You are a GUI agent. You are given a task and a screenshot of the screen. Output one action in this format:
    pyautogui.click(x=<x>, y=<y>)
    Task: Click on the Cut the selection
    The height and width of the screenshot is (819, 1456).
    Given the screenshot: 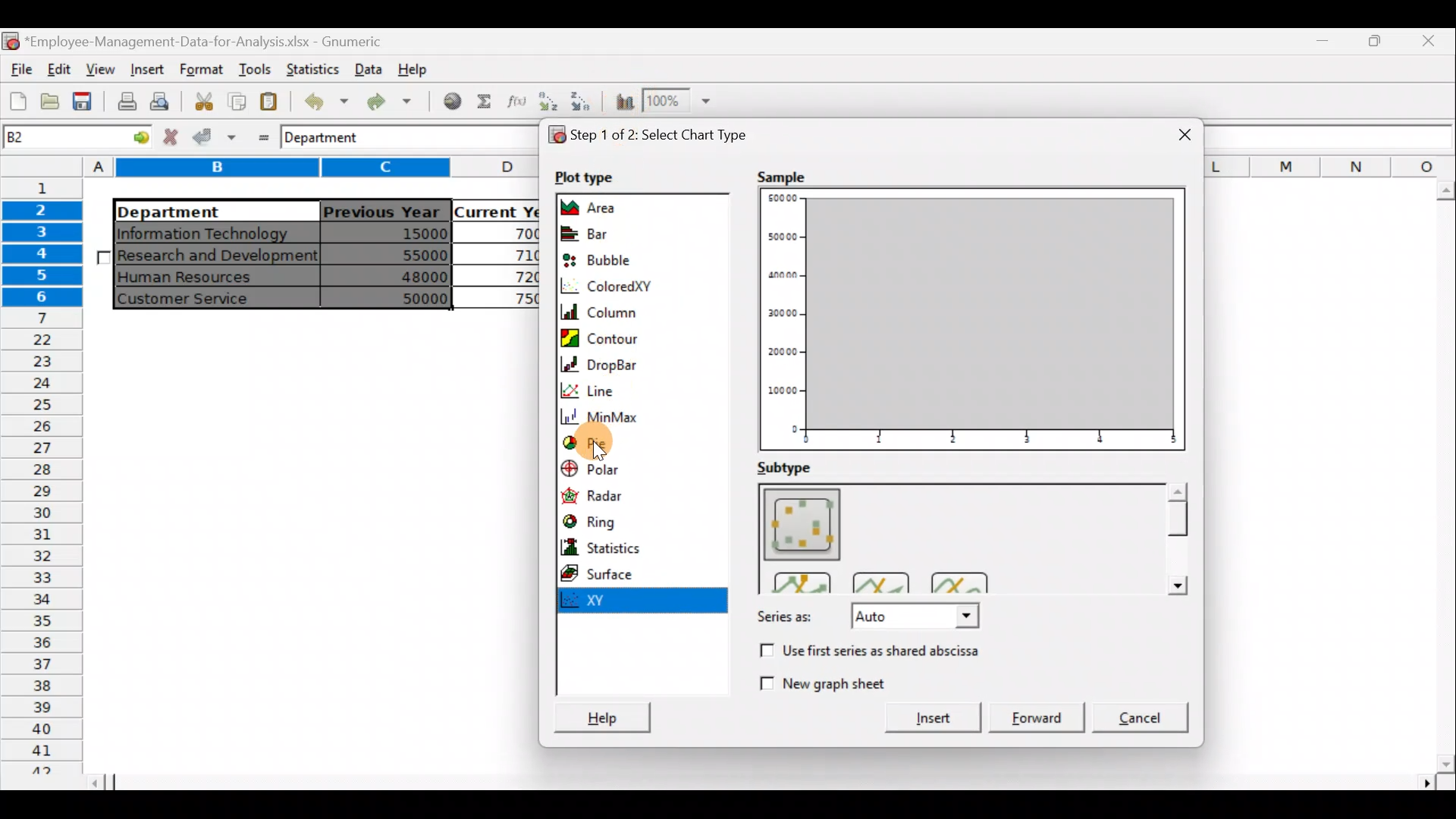 What is the action you would take?
    pyautogui.click(x=203, y=99)
    